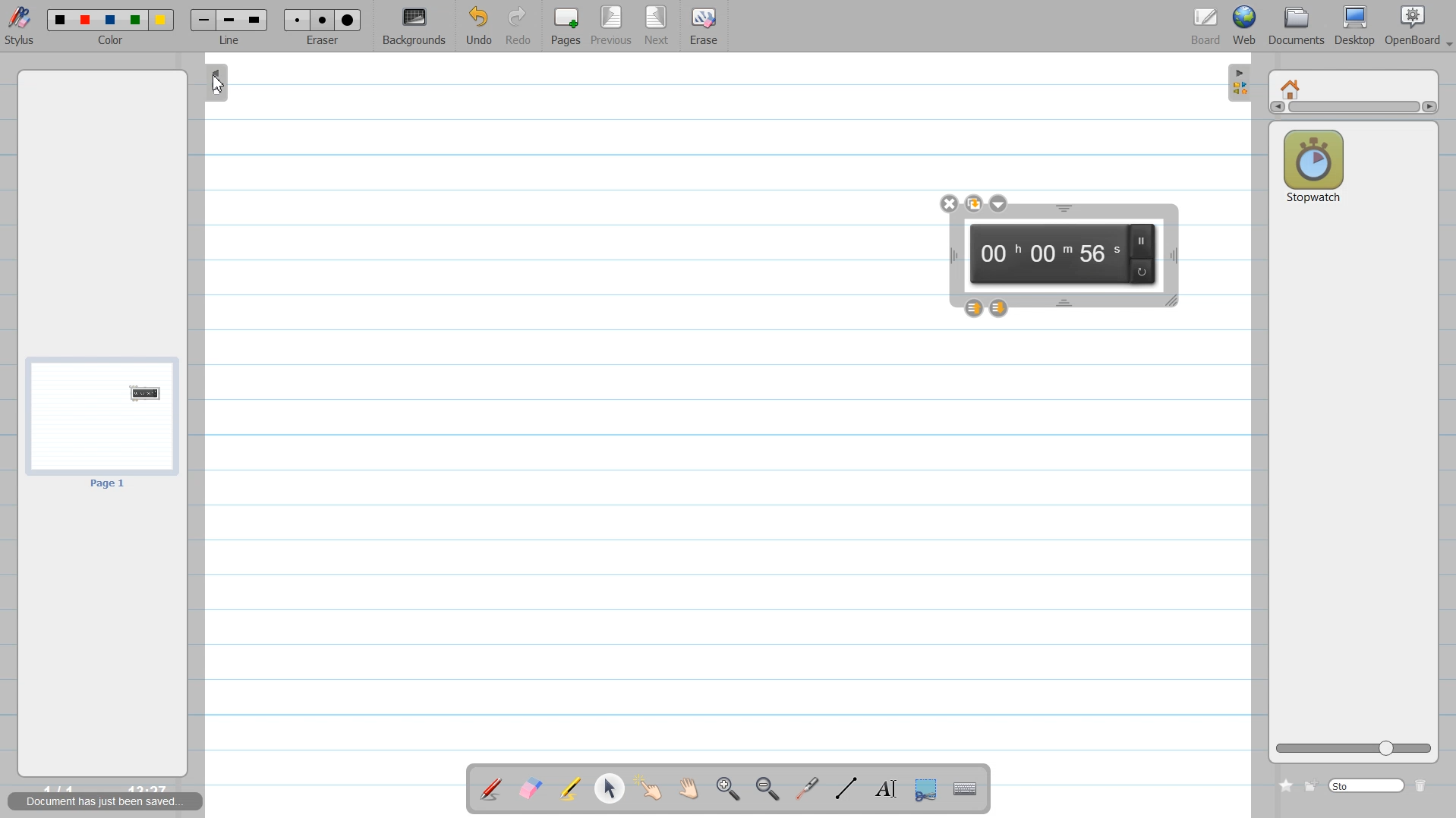  Describe the element at coordinates (1297, 26) in the screenshot. I see `Document` at that location.